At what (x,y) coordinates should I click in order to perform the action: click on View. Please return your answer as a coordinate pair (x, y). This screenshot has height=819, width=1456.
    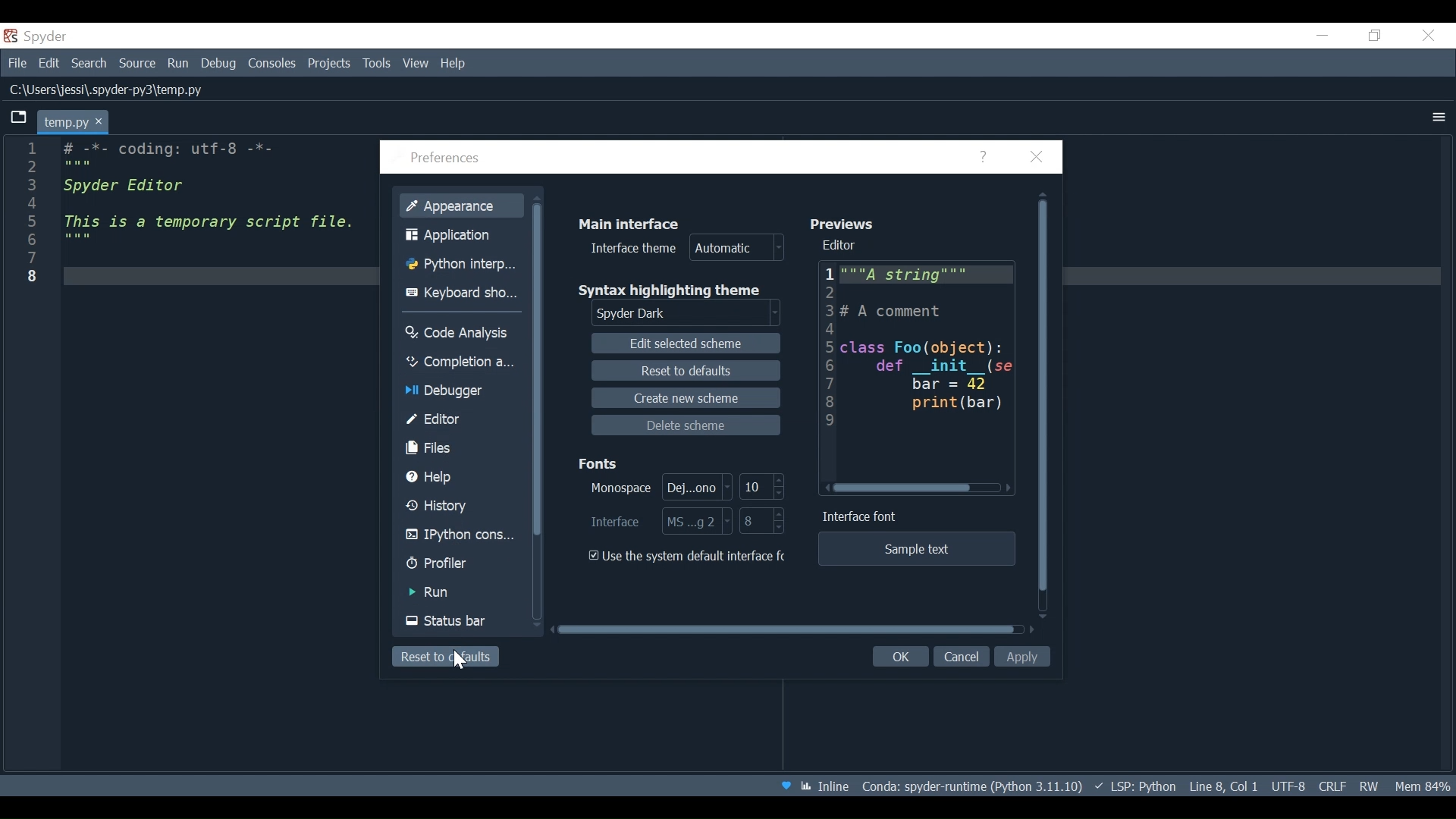
    Looking at the image, I should click on (416, 63).